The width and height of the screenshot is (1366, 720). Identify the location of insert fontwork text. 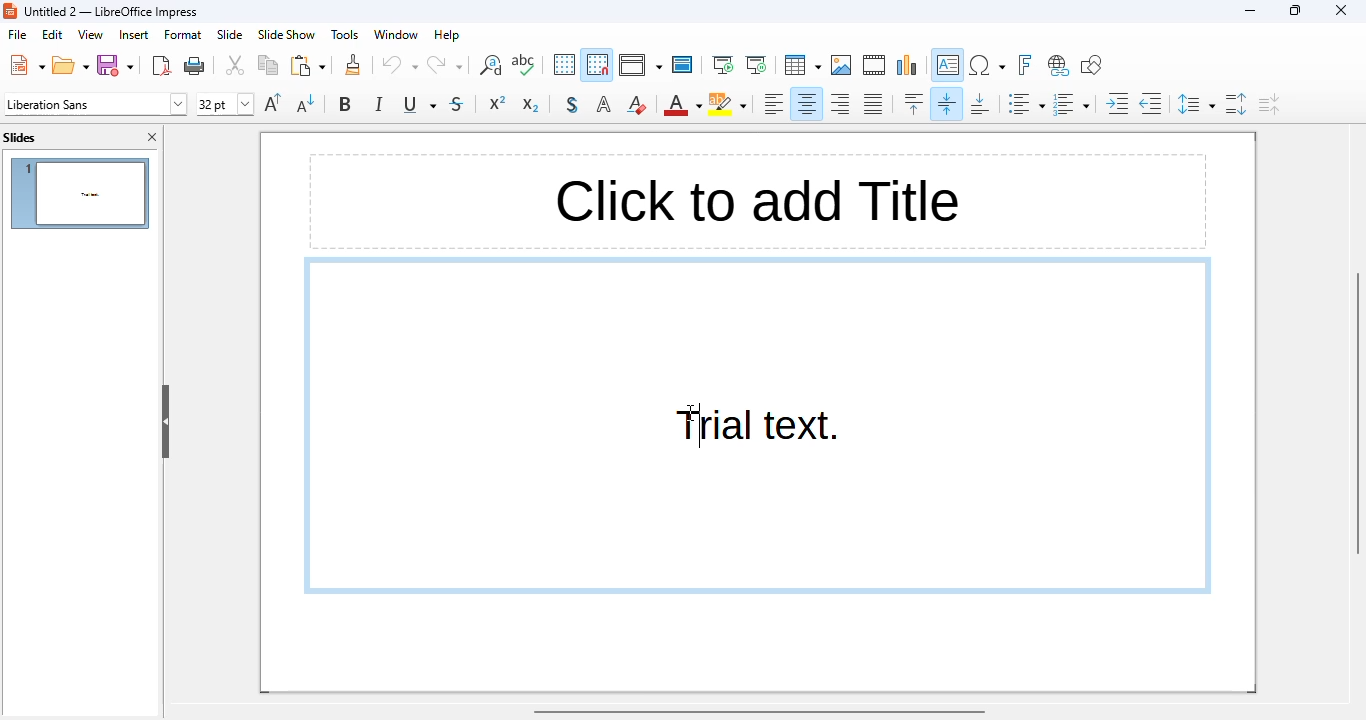
(1025, 65).